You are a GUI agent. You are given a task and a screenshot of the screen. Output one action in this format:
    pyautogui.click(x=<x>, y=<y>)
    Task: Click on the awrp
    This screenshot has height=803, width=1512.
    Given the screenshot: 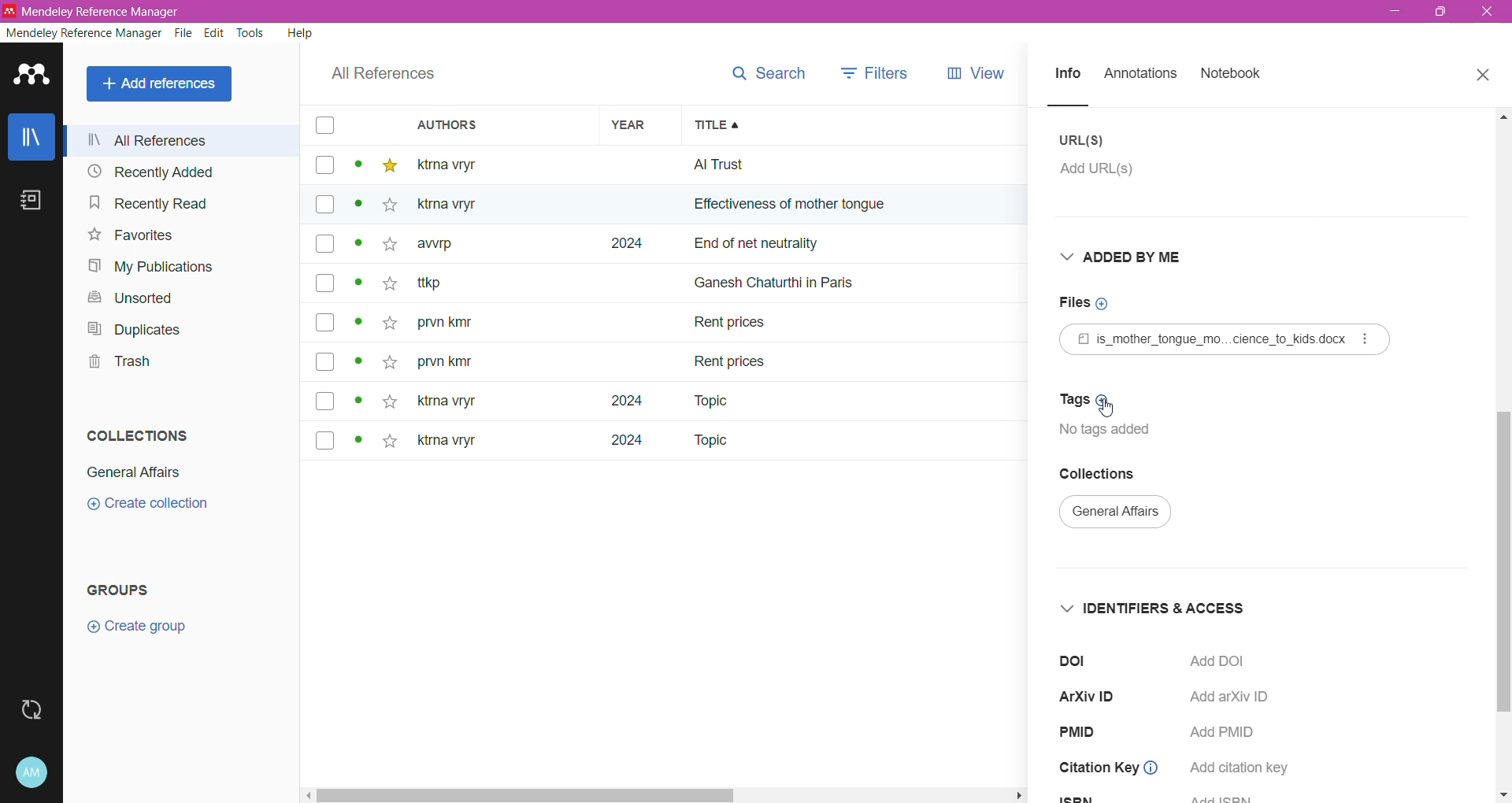 What is the action you would take?
    pyautogui.click(x=447, y=249)
    